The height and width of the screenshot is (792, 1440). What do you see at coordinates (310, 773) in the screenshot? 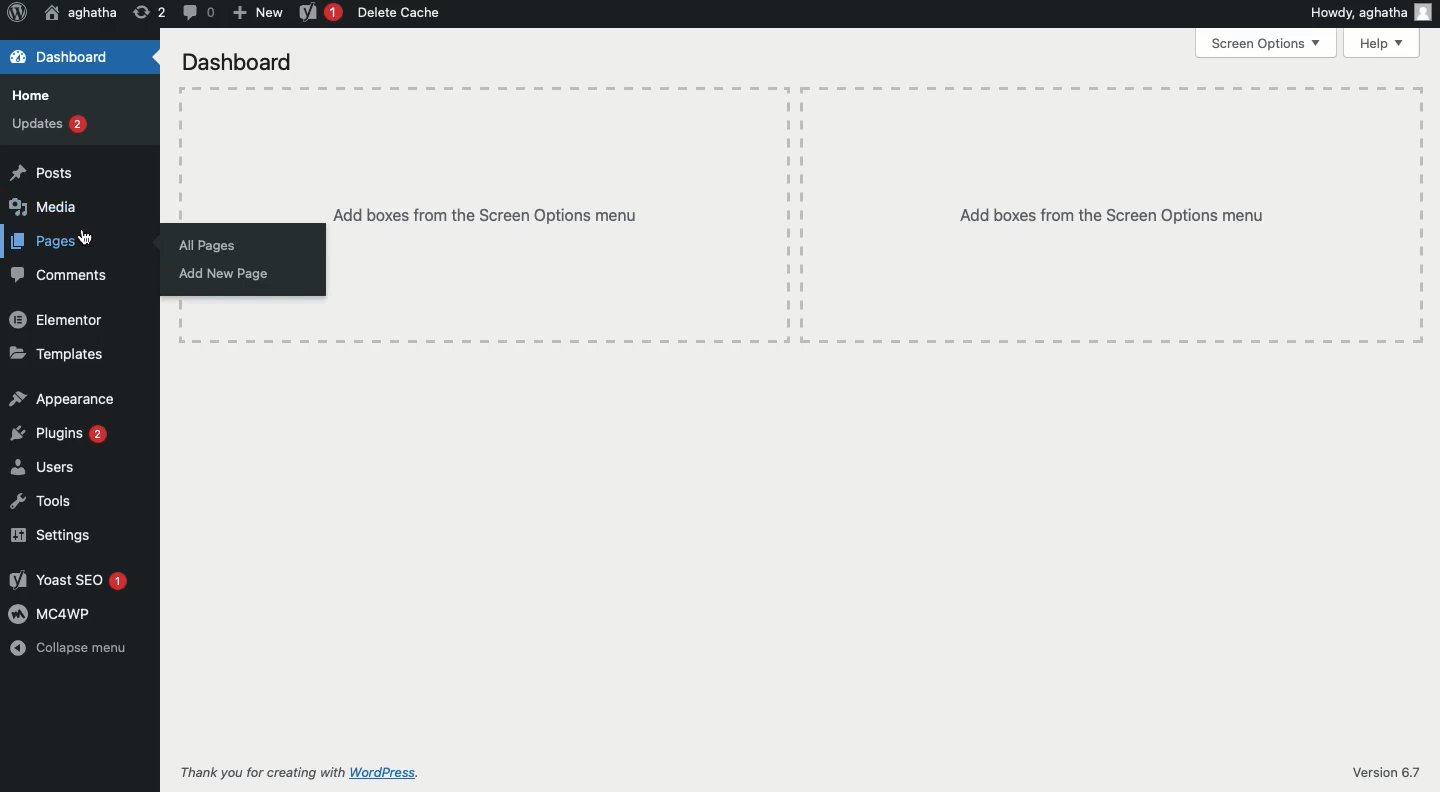
I see `Thank you for creating with wordpress` at bounding box center [310, 773].